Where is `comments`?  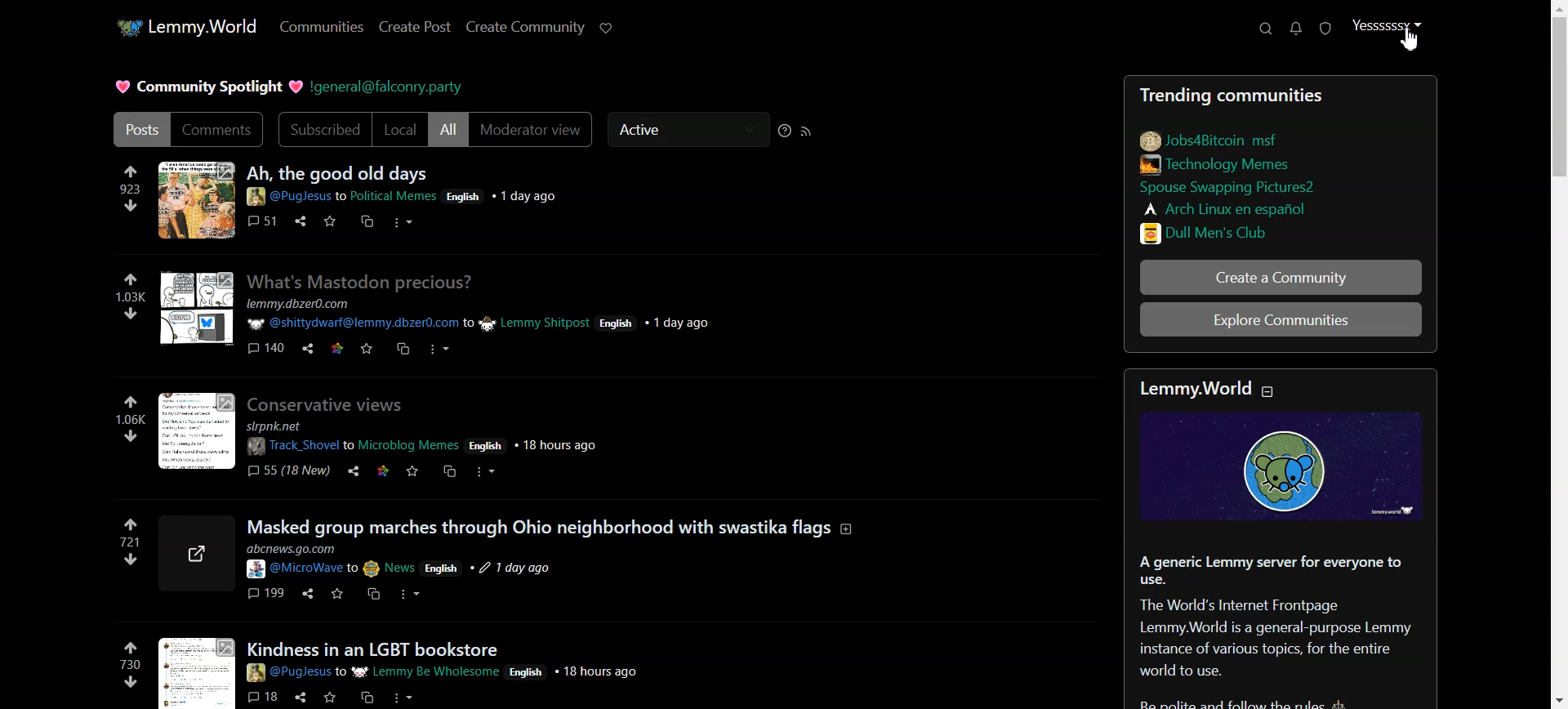
comments is located at coordinates (265, 346).